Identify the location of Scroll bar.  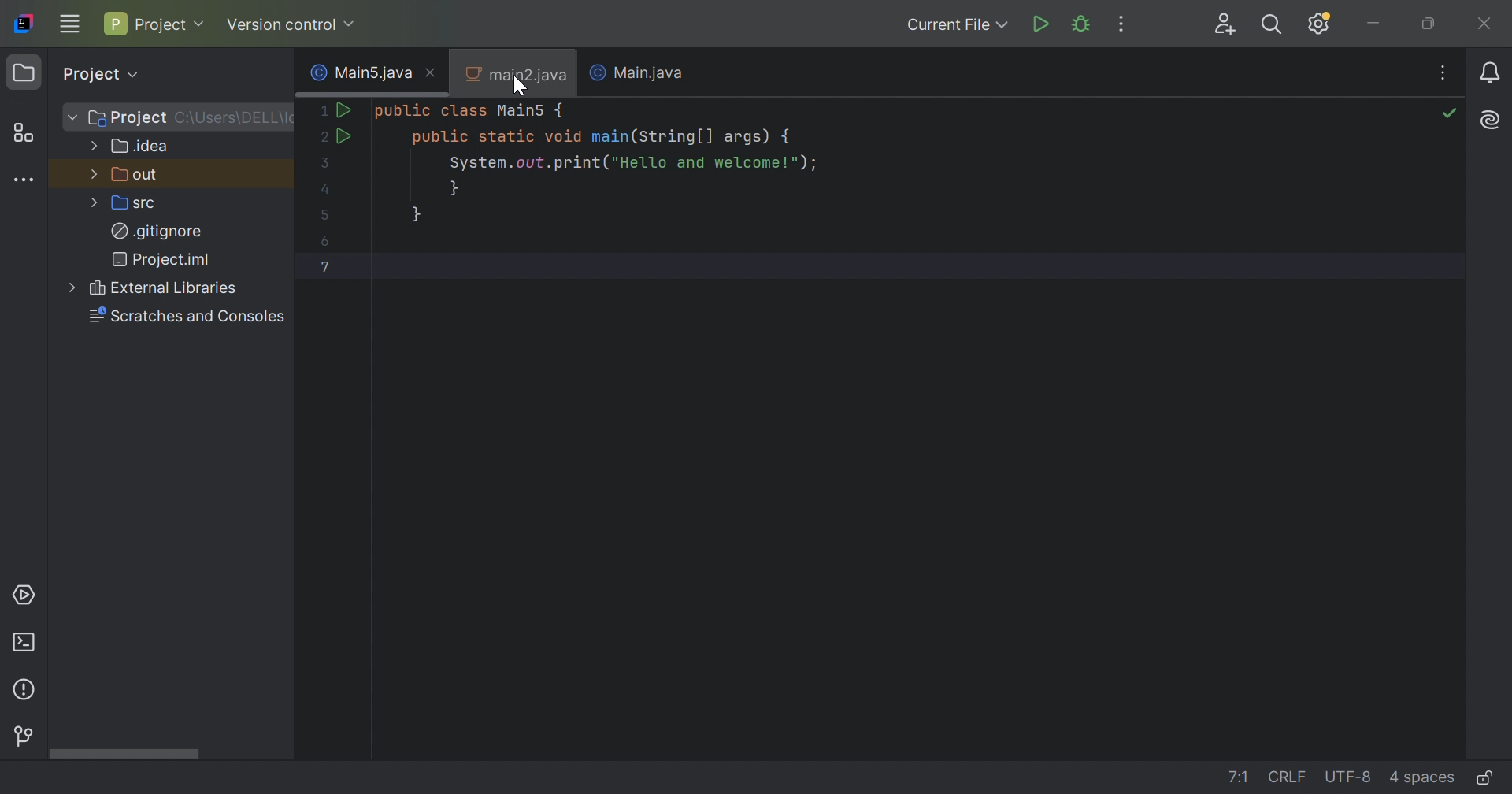
(121, 755).